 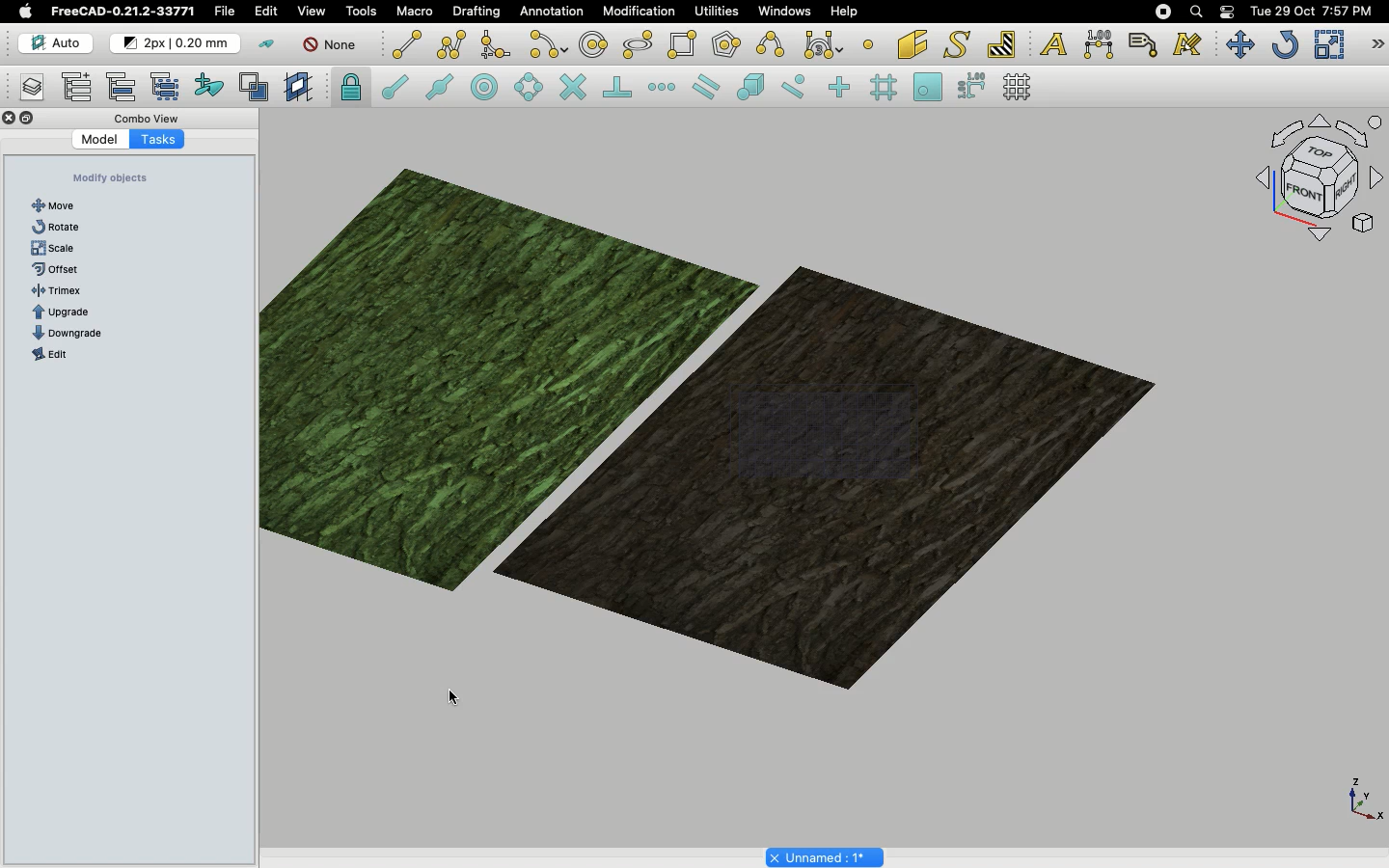 I want to click on  Downgrade, so click(x=81, y=333).